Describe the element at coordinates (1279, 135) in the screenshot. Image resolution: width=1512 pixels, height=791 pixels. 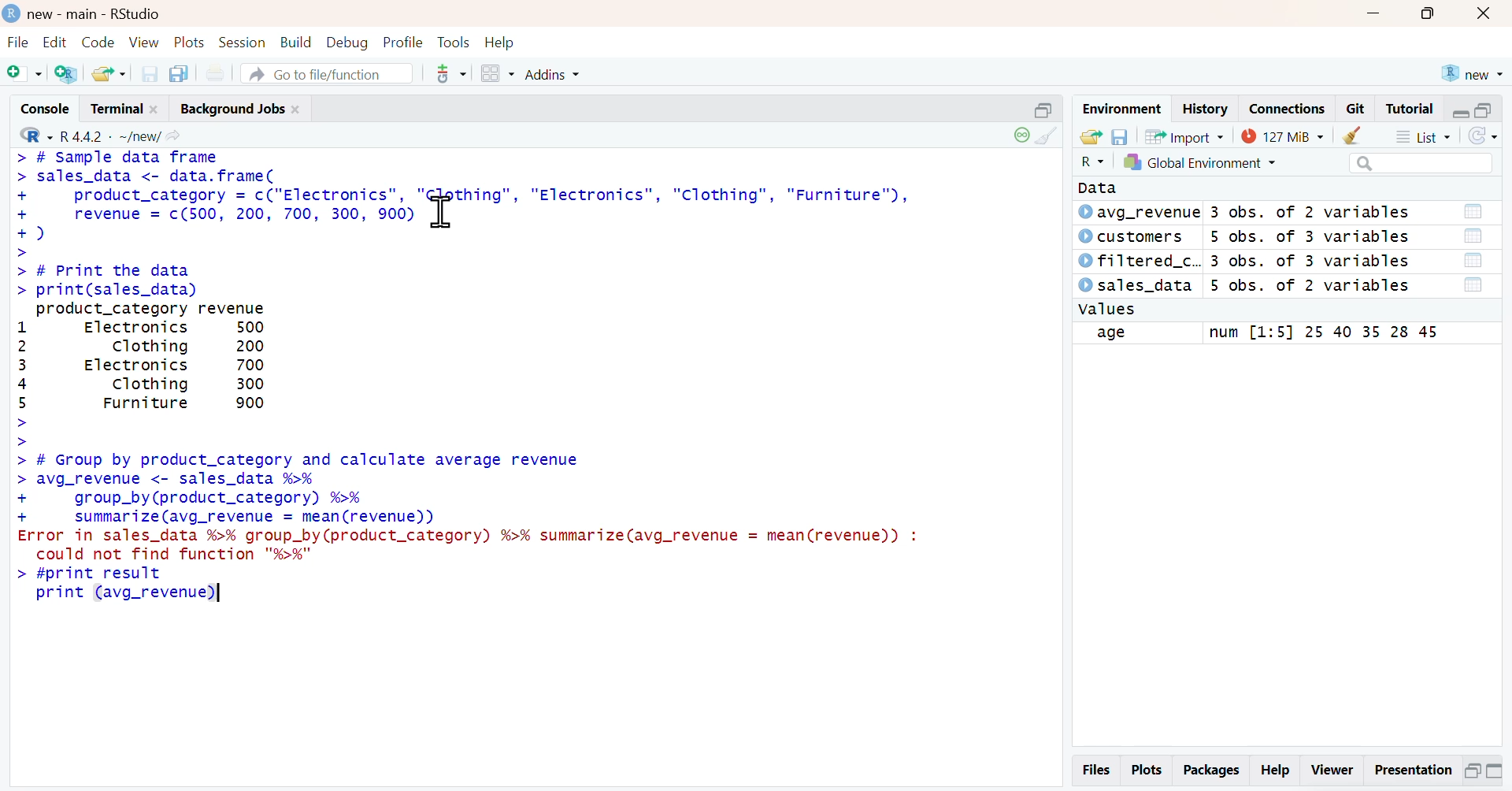
I see `Memory usage - 24 Mib` at that location.